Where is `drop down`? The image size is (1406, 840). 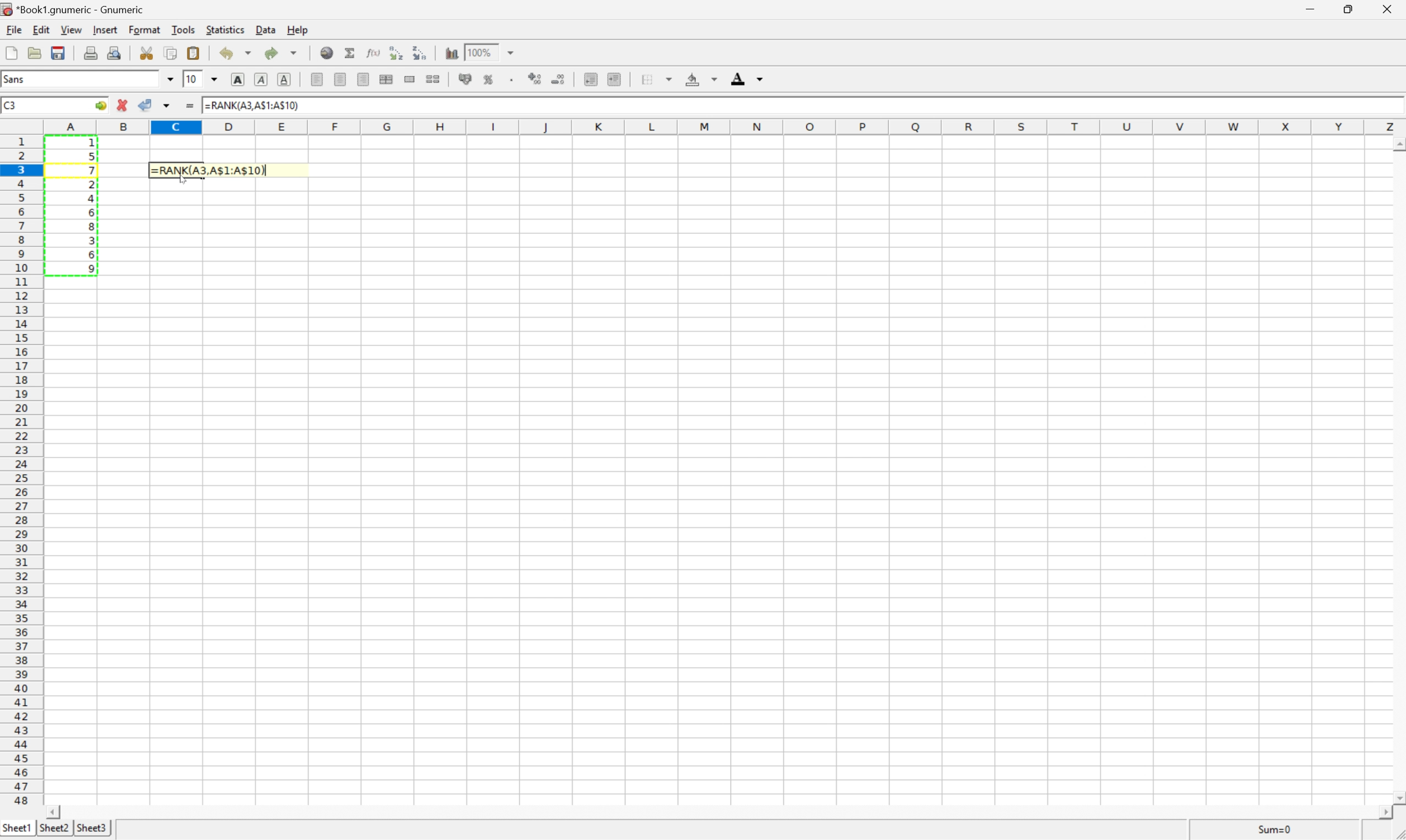
drop down is located at coordinates (170, 80).